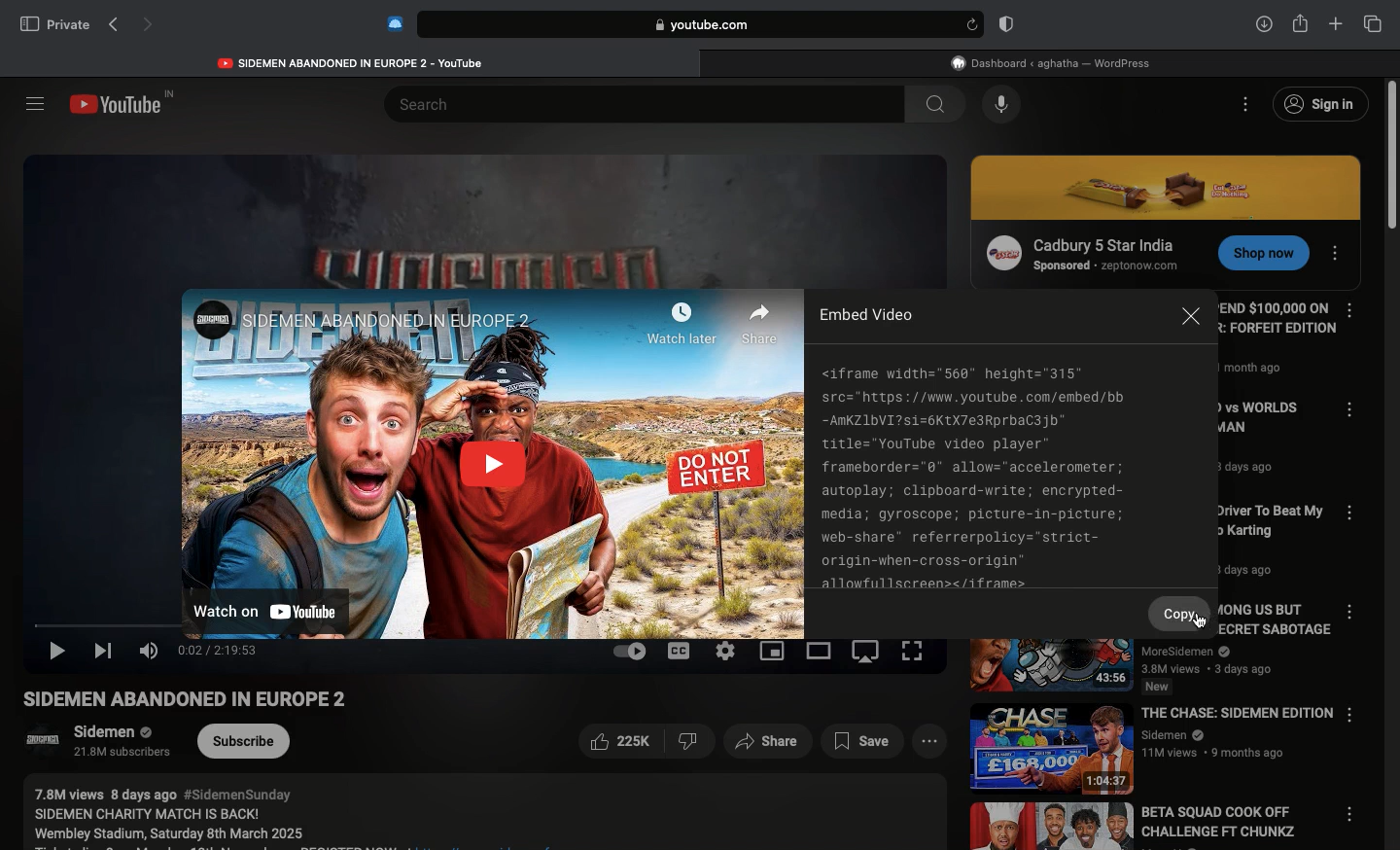 Image resolution: width=1400 pixels, height=850 pixels. I want to click on Save, so click(864, 742).